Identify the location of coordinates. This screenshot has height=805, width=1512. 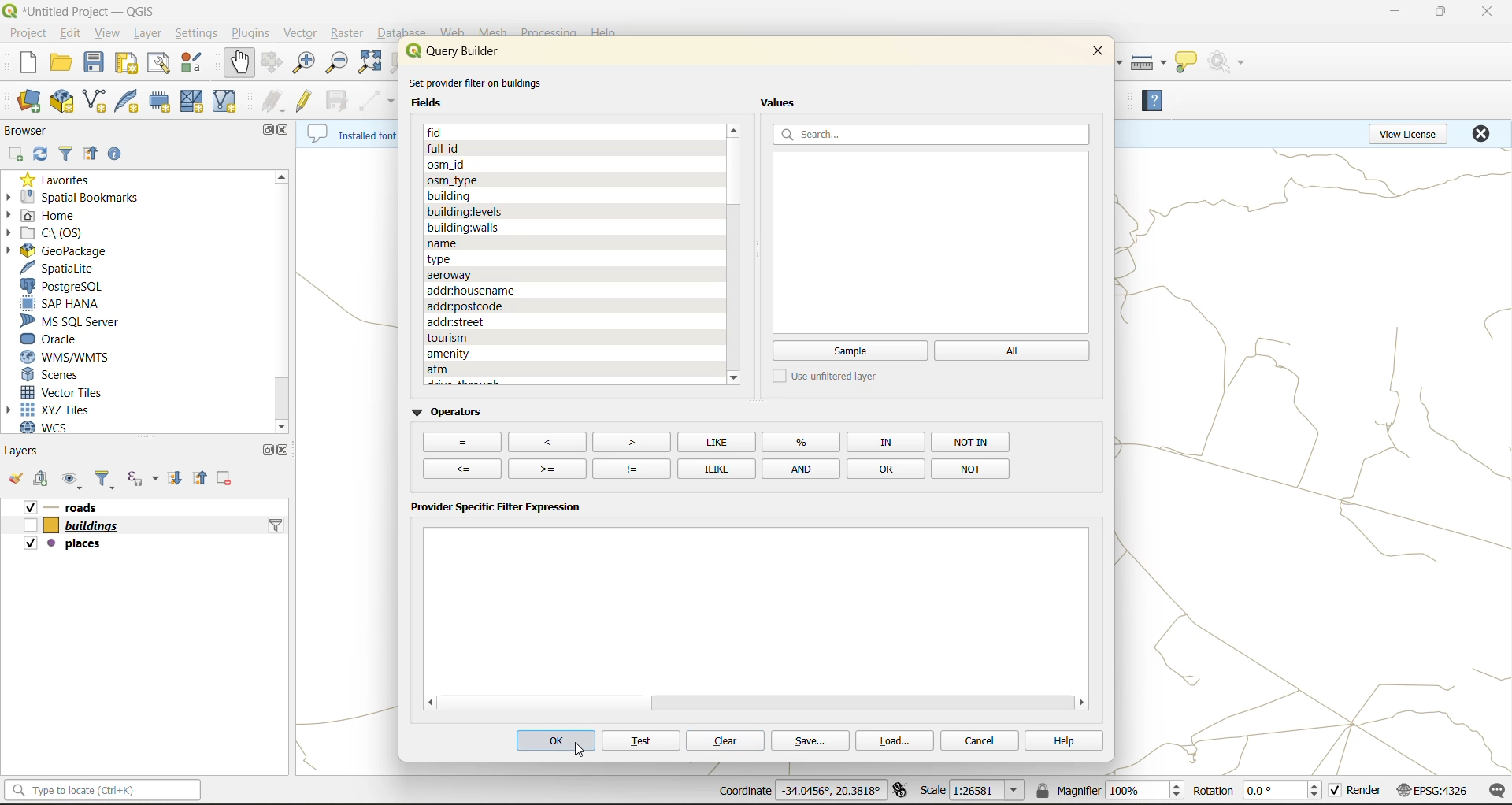
(796, 790).